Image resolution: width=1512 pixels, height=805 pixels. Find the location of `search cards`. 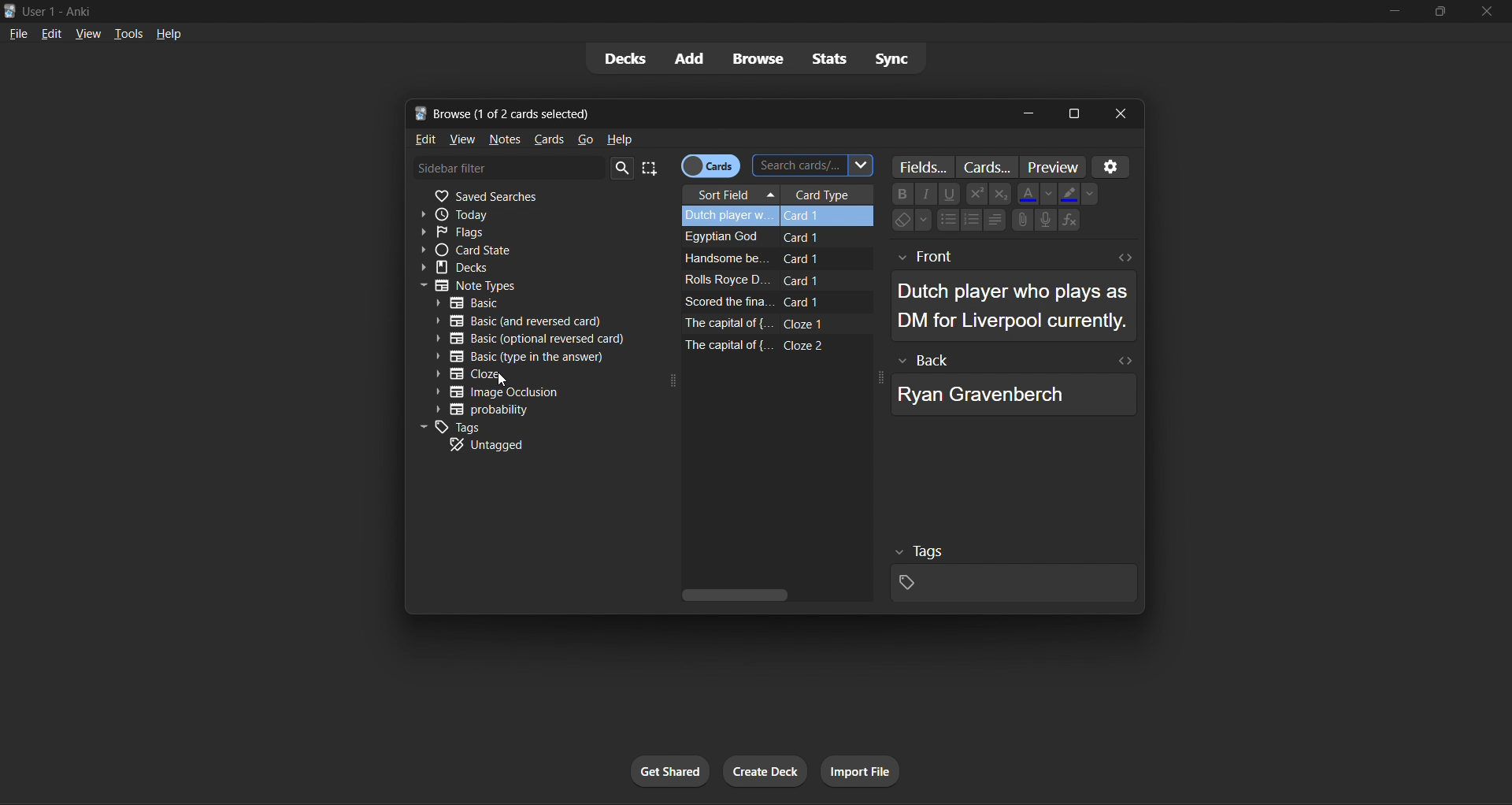

search cards is located at coordinates (813, 166).